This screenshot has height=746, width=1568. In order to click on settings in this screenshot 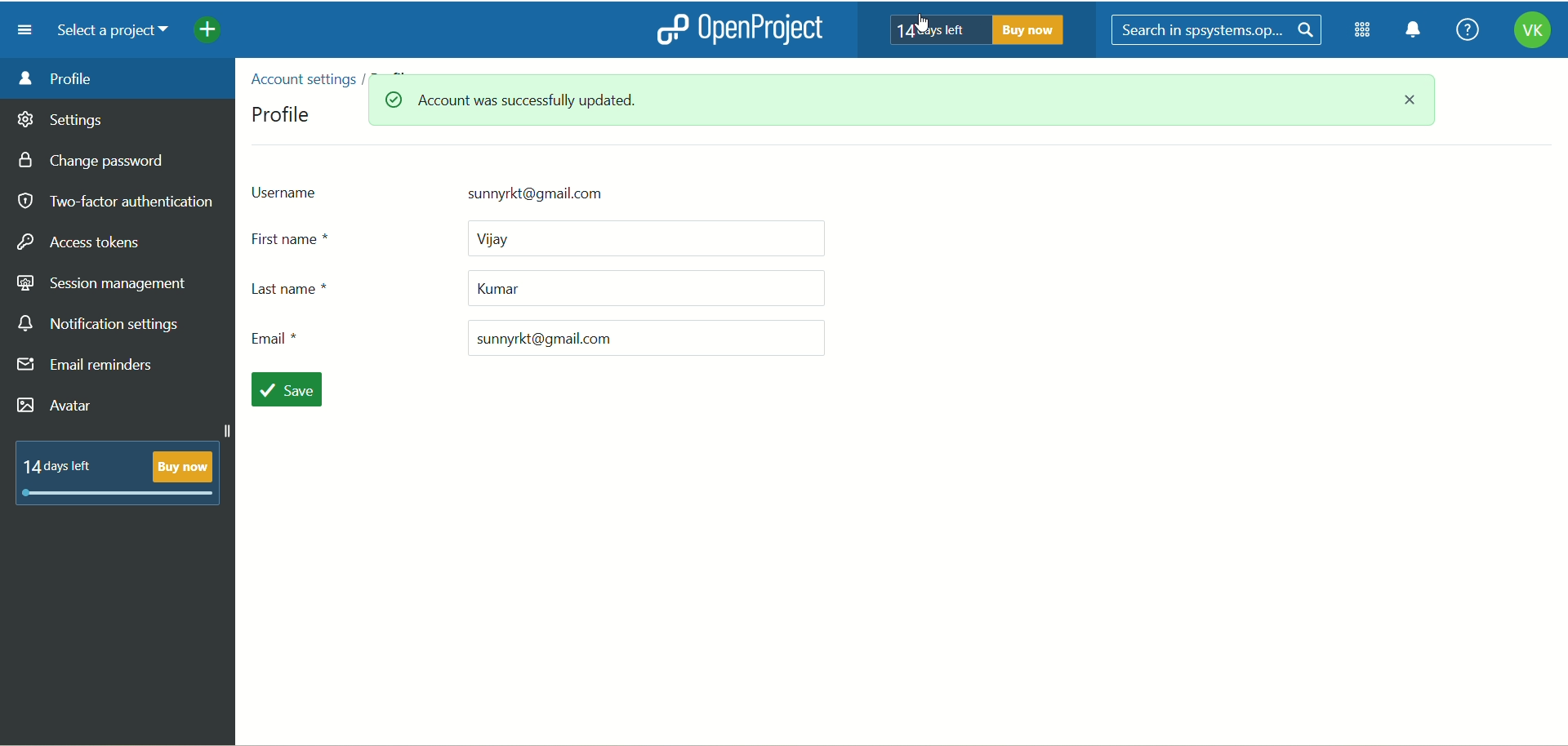, I will do `click(61, 122)`.